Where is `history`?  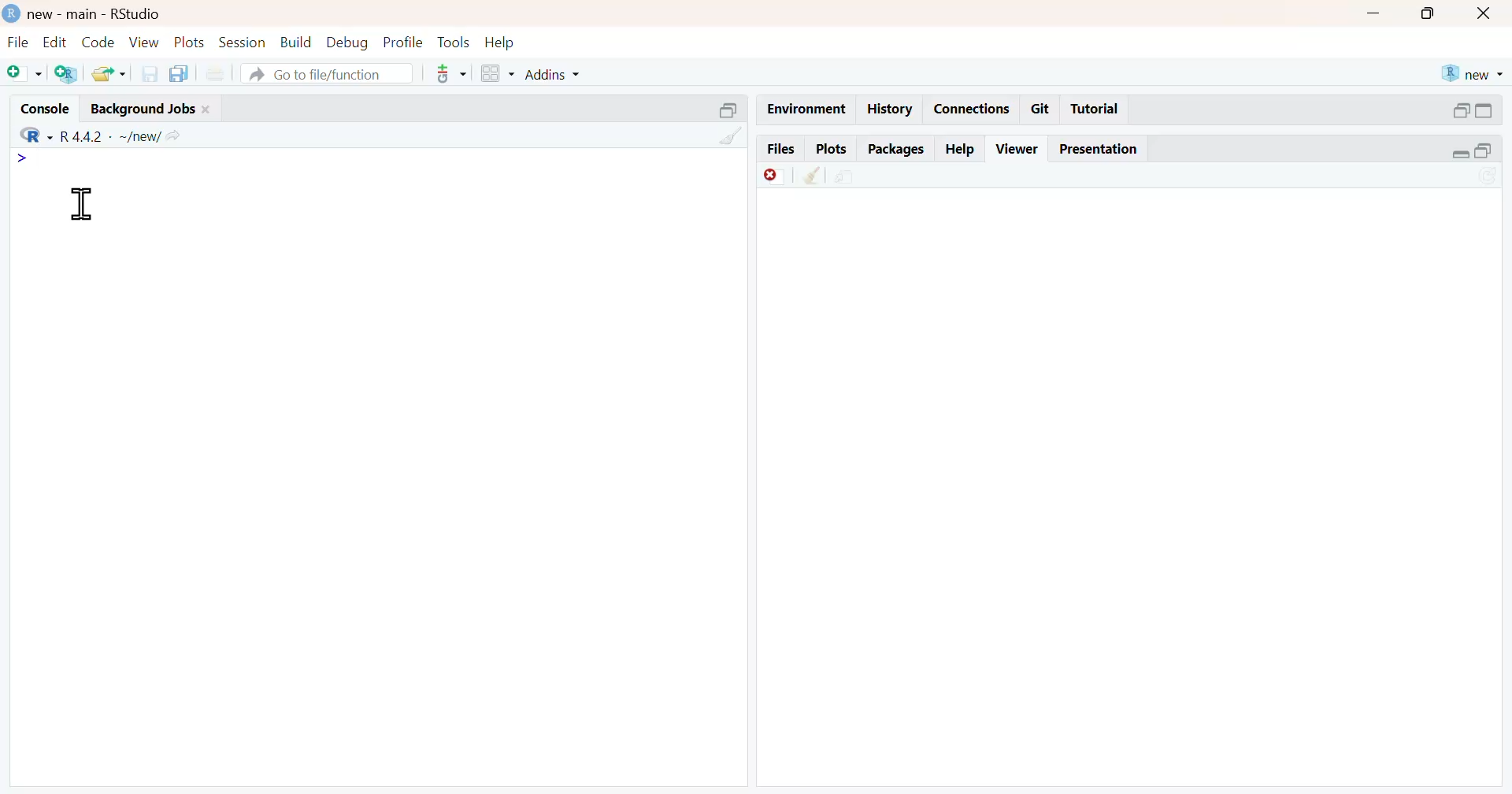
history is located at coordinates (889, 109).